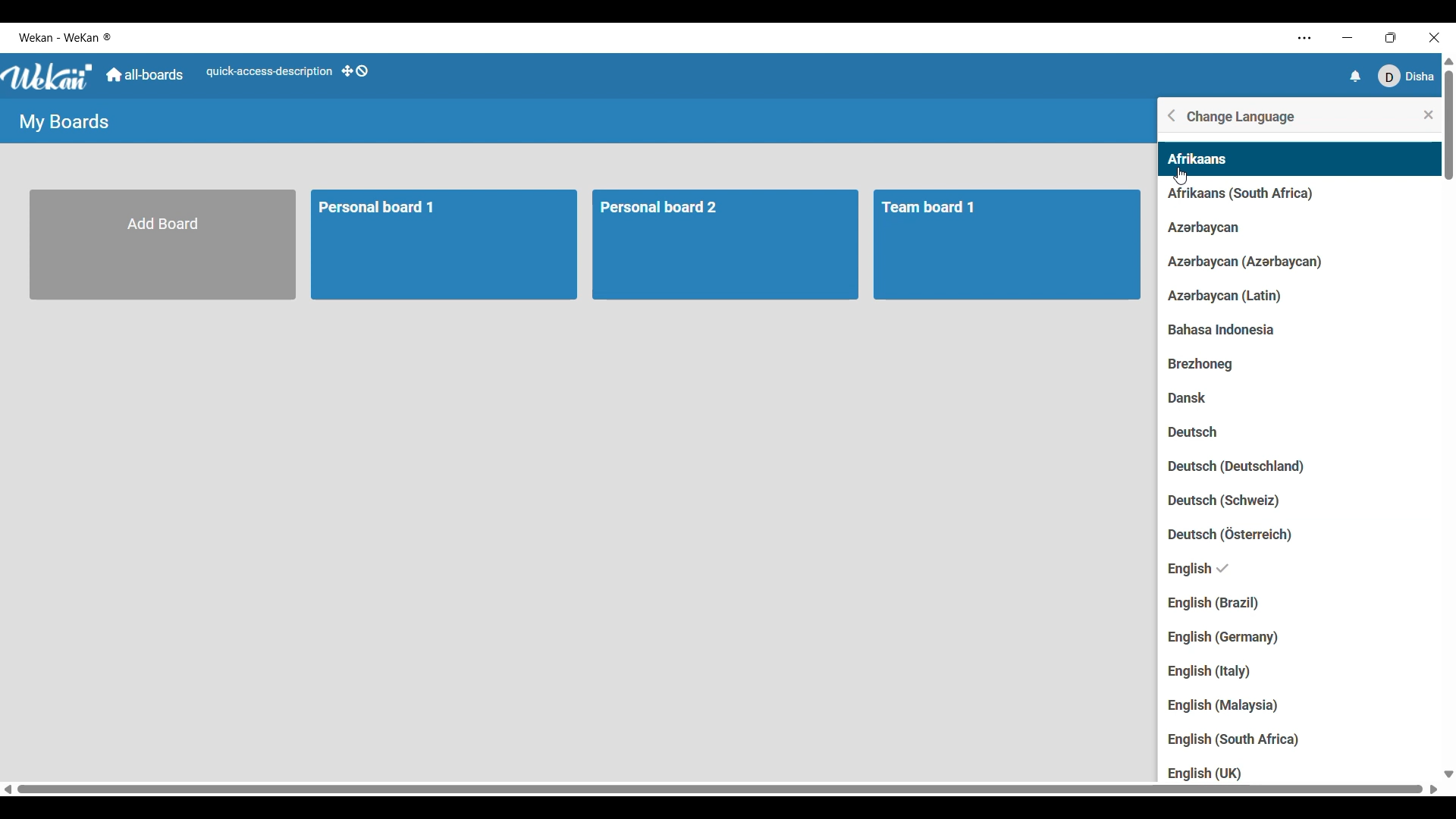 The height and width of the screenshot is (819, 1456). Describe the element at coordinates (1221, 569) in the screenshot. I see `English ` at that location.